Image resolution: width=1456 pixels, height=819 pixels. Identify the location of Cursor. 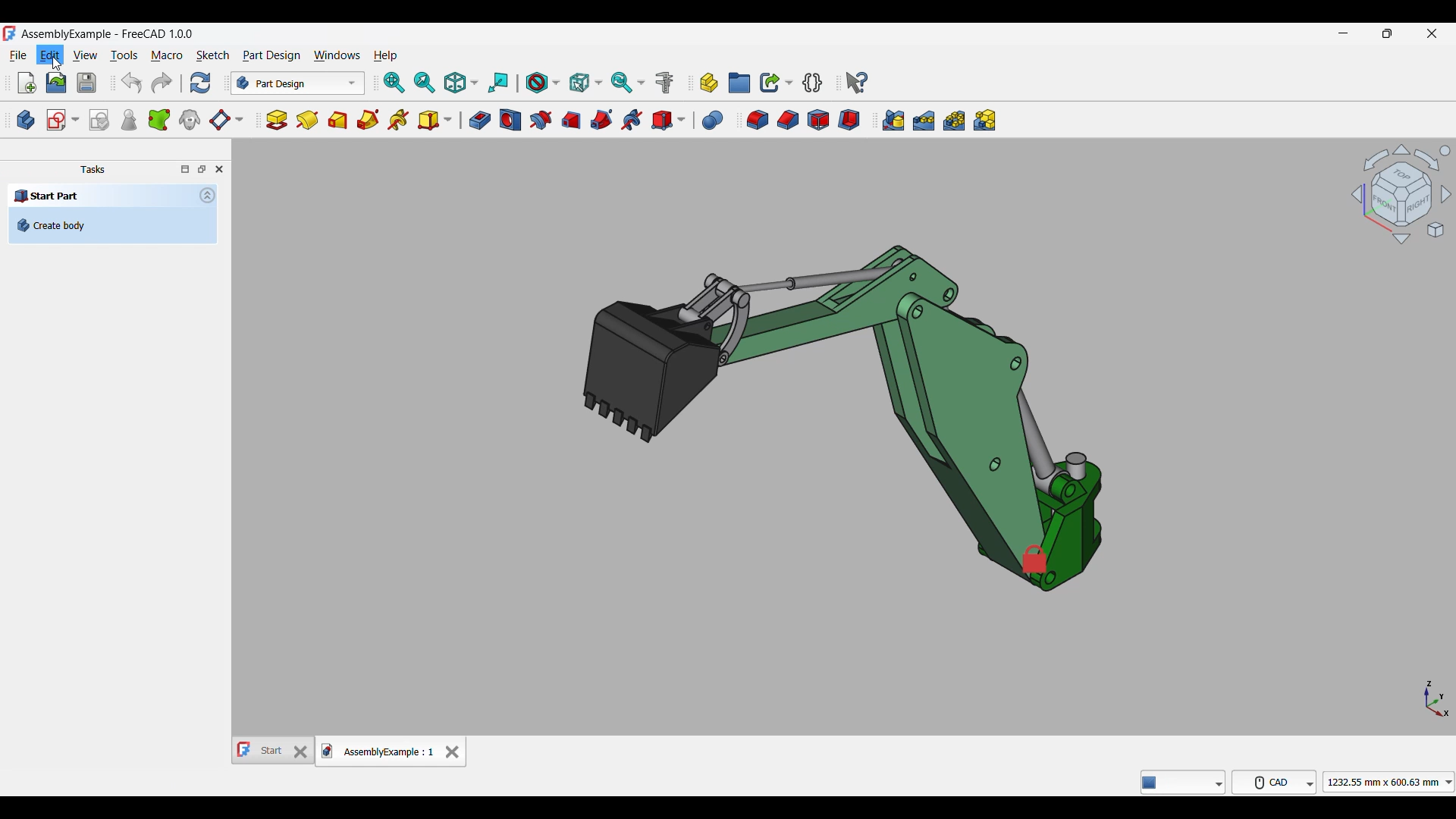
(58, 64).